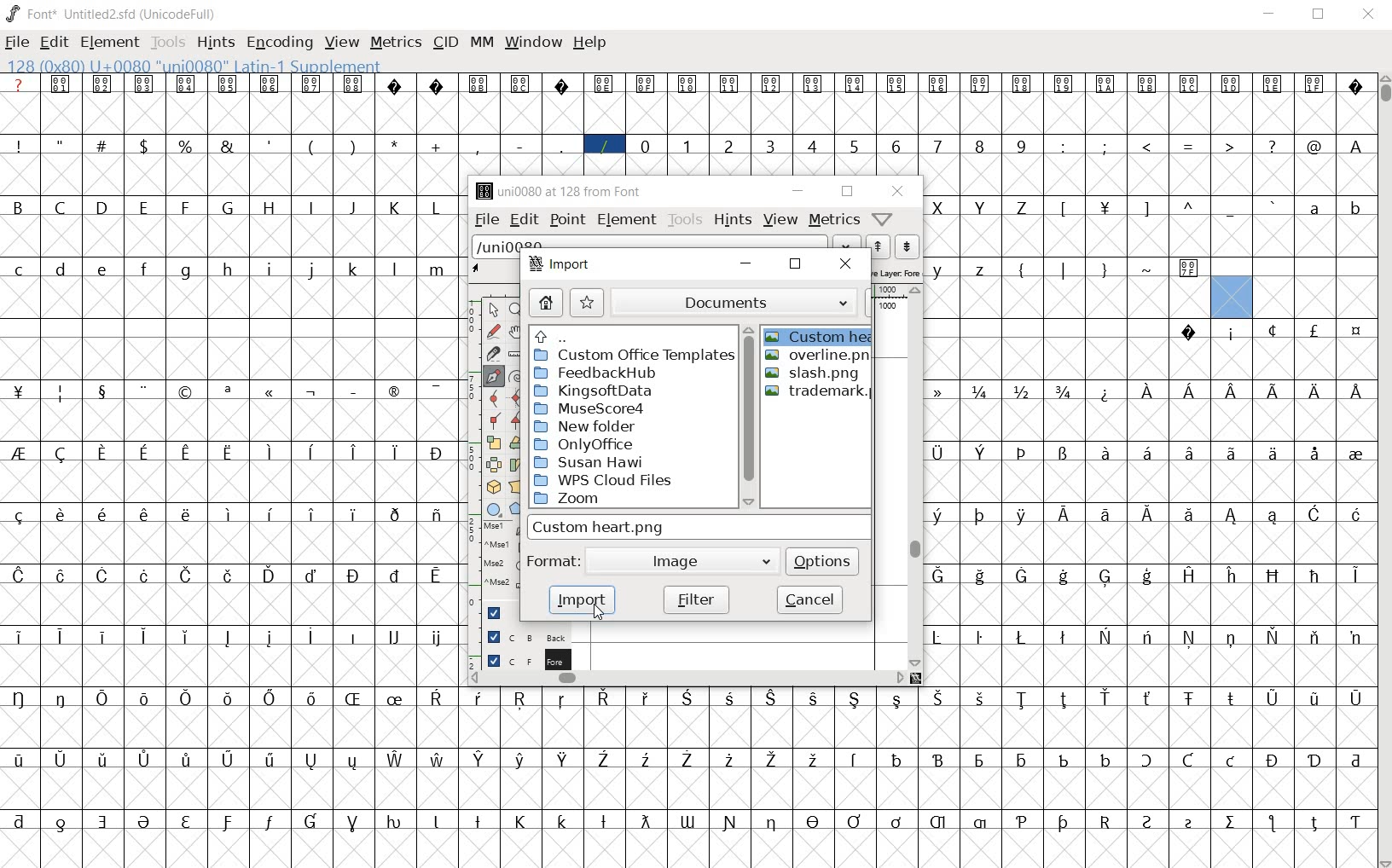  What do you see at coordinates (1105, 822) in the screenshot?
I see `glyph` at bounding box center [1105, 822].